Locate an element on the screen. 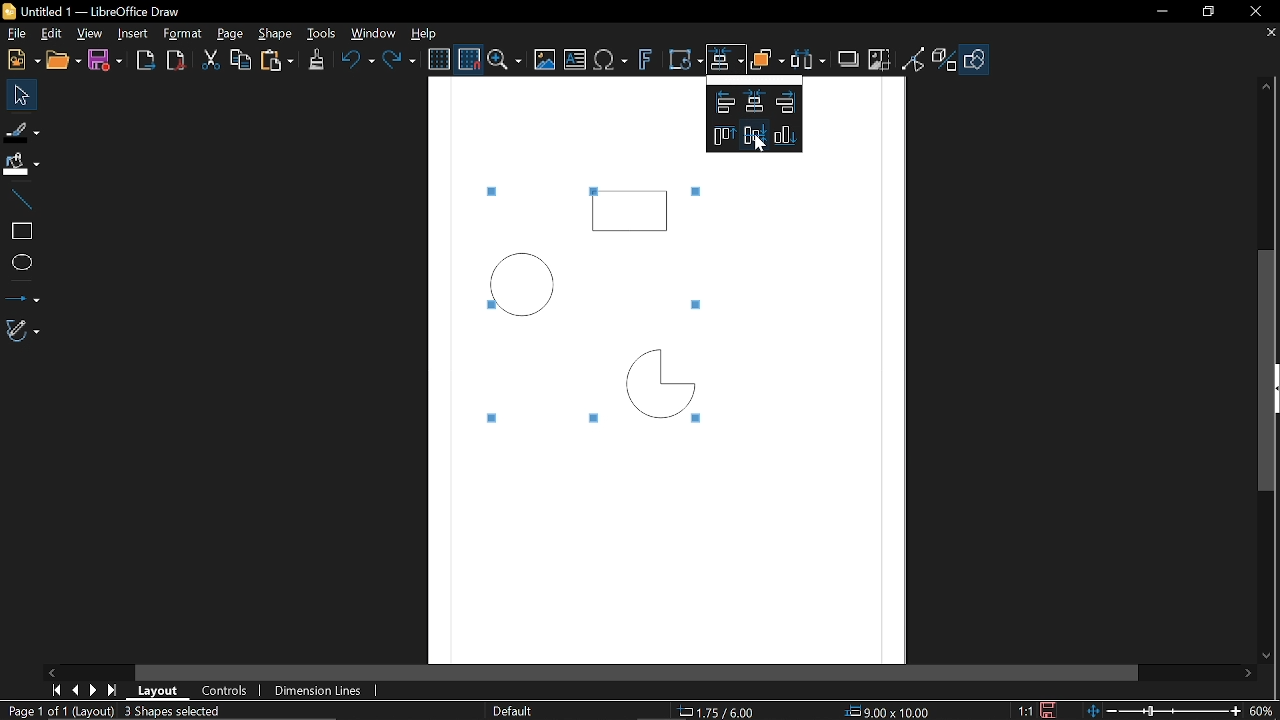 This screenshot has height=720, width=1280. Horizontal scrollbar is located at coordinates (638, 672).